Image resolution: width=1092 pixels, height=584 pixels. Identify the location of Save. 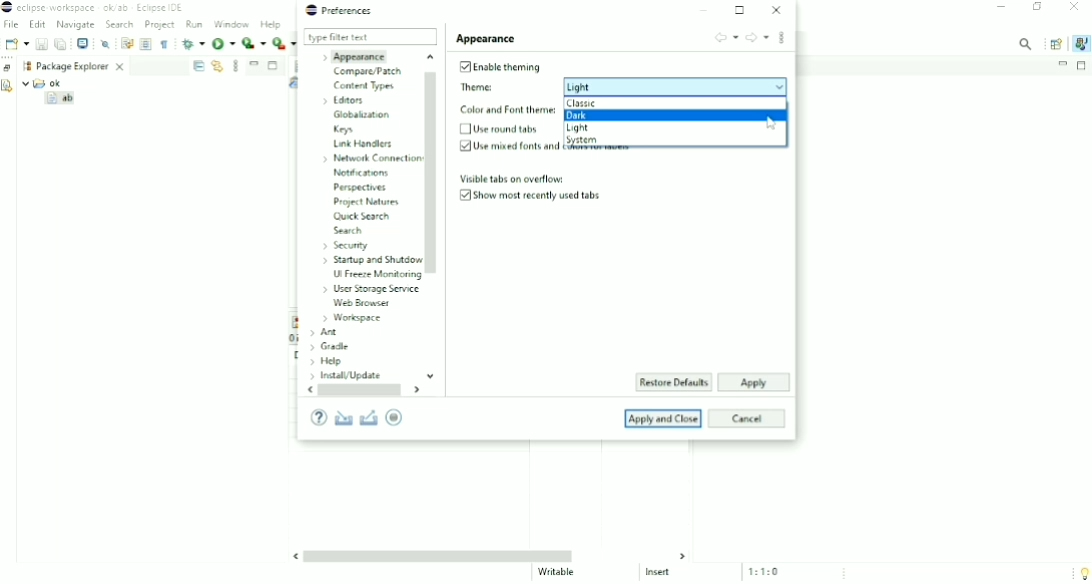
(41, 44).